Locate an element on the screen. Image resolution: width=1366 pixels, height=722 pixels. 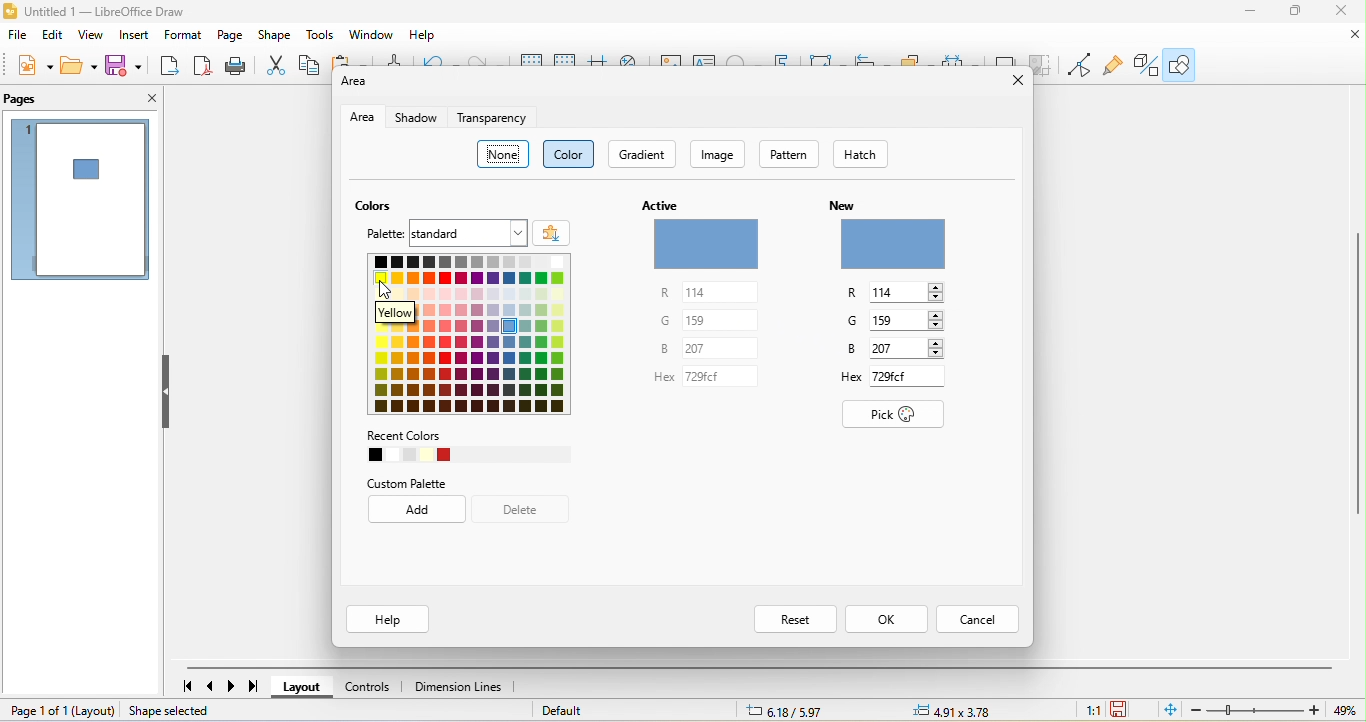
image is located at coordinates (722, 153).